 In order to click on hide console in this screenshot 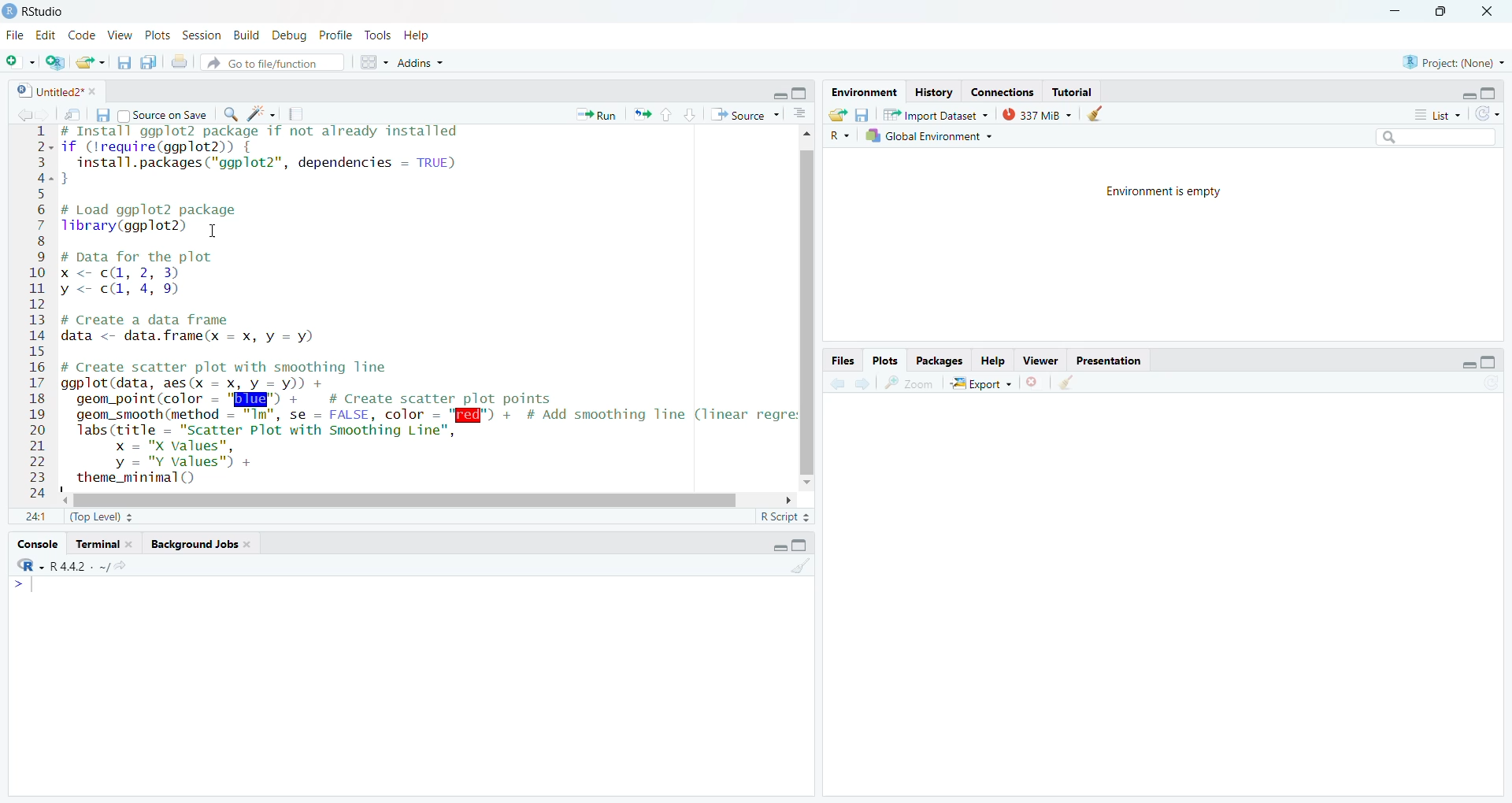, I will do `click(802, 91)`.